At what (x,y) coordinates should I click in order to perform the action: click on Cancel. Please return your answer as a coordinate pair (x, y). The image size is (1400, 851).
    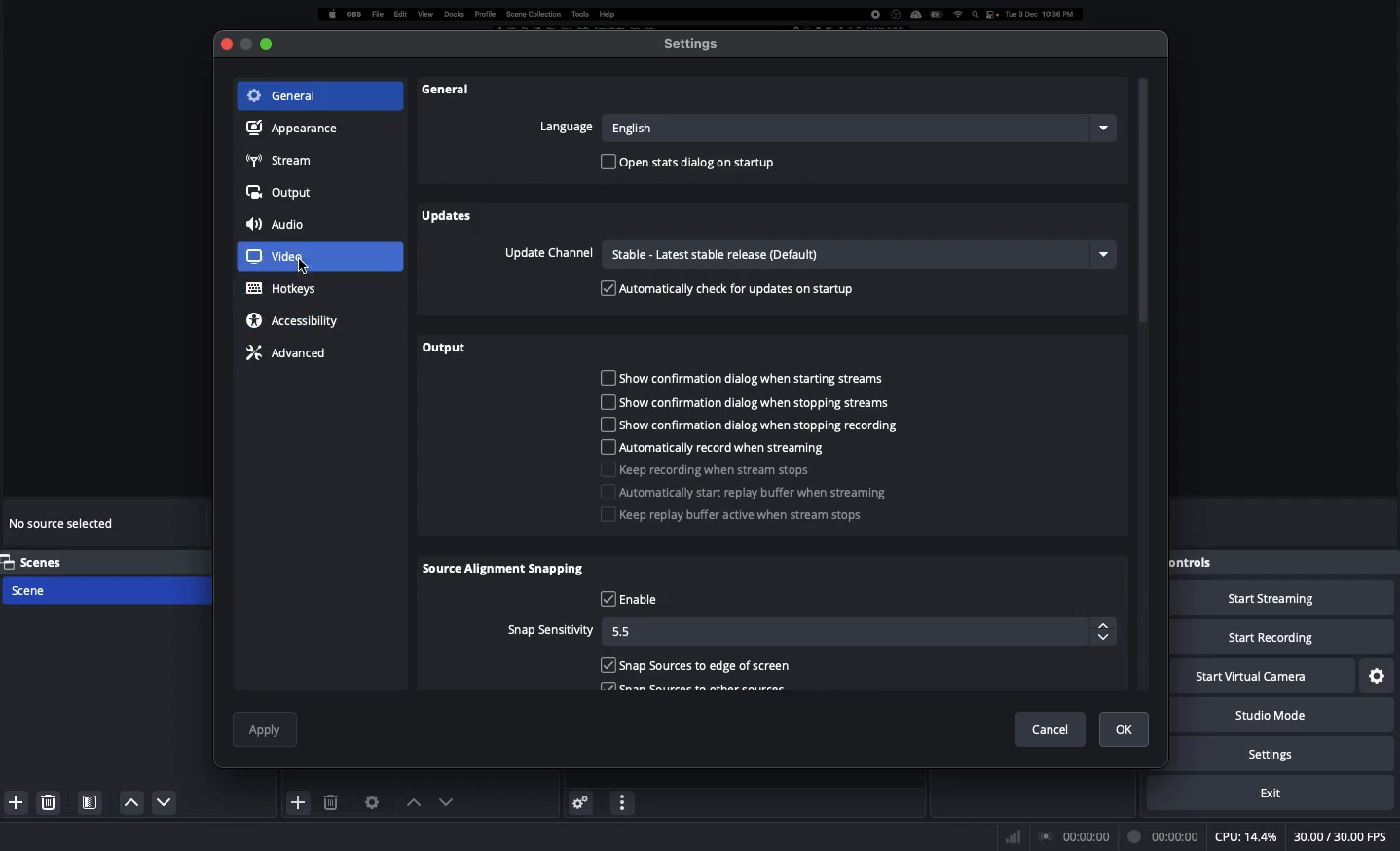
    Looking at the image, I should click on (1050, 725).